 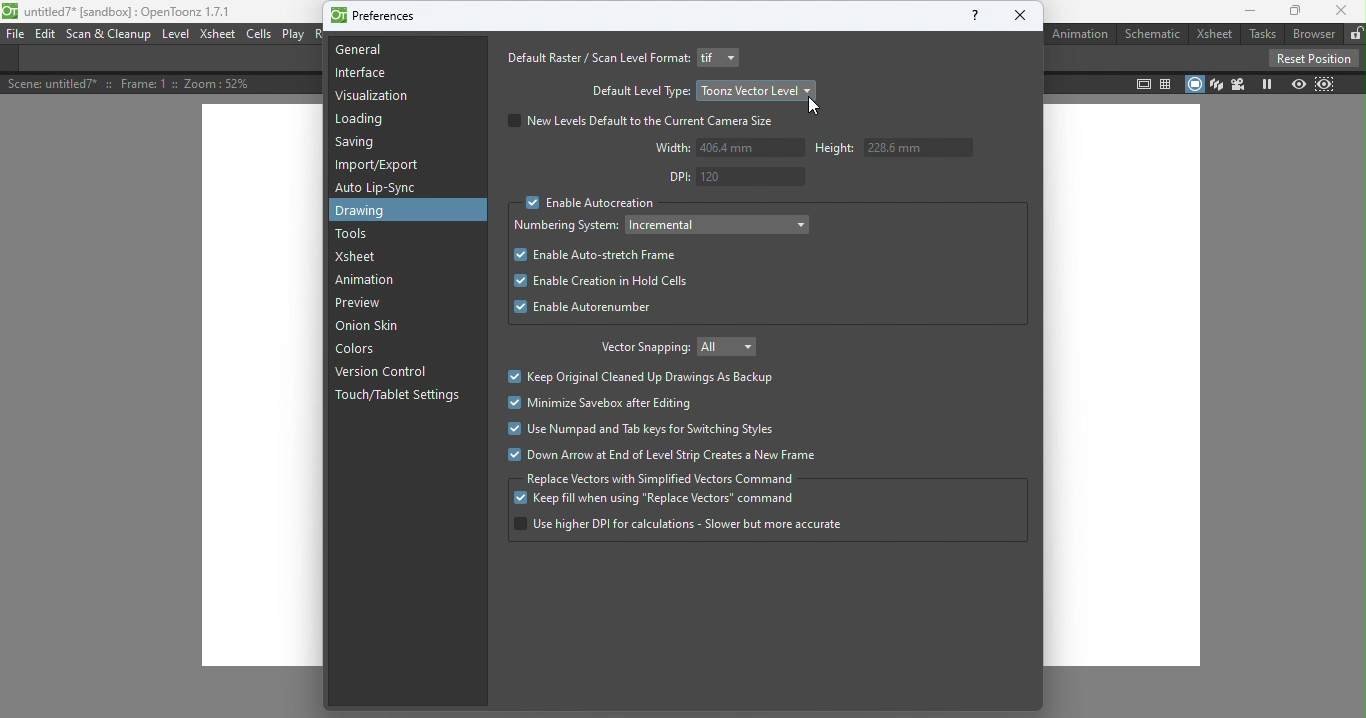 I want to click on Enable, so click(x=586, y=307).